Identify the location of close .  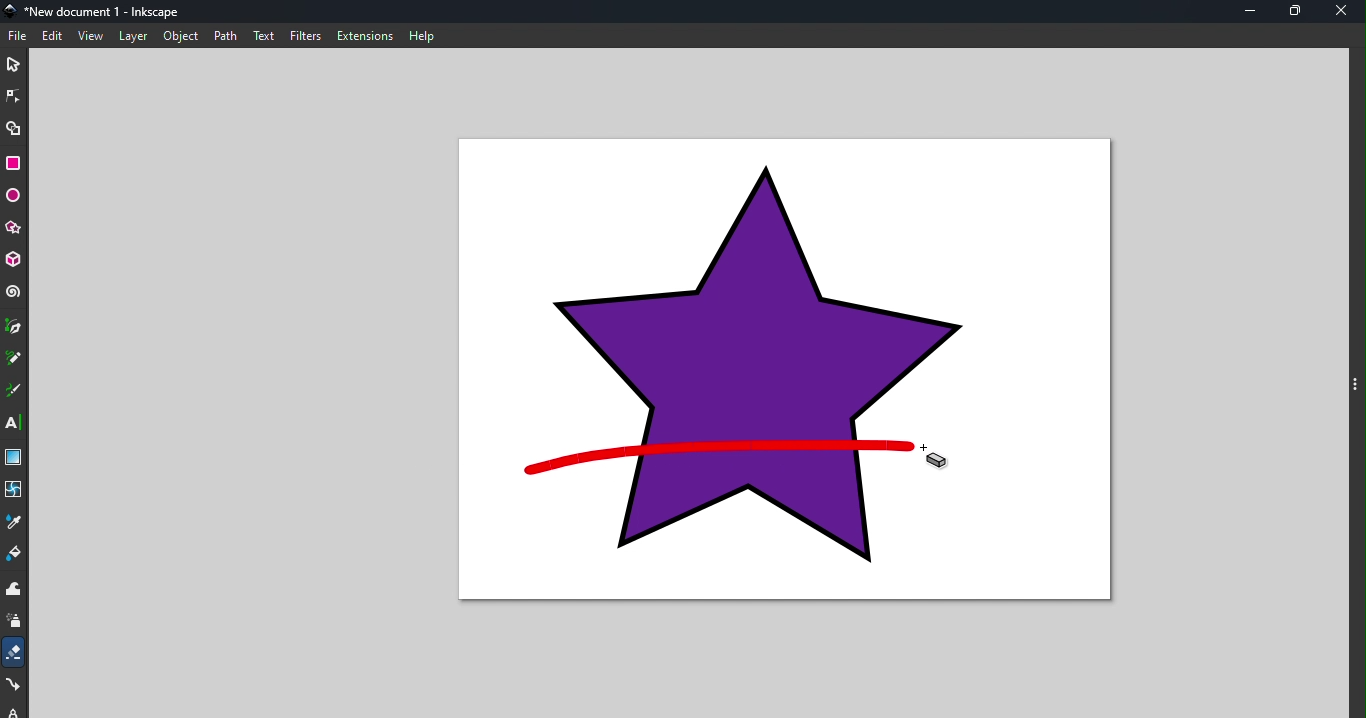
(1346, 12).